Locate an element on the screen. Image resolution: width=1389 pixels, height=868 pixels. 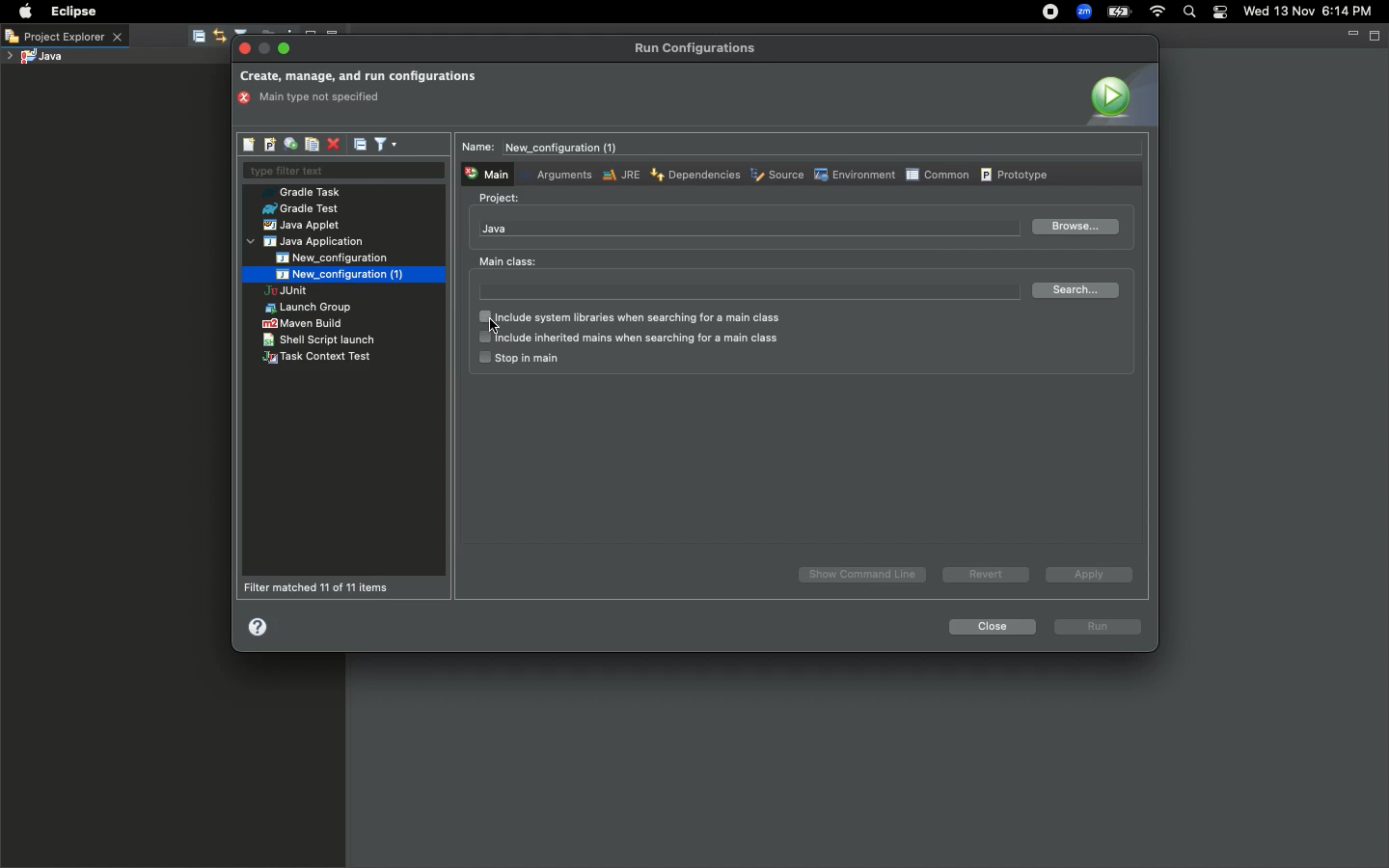
run is located at coordinates (1099, 628).